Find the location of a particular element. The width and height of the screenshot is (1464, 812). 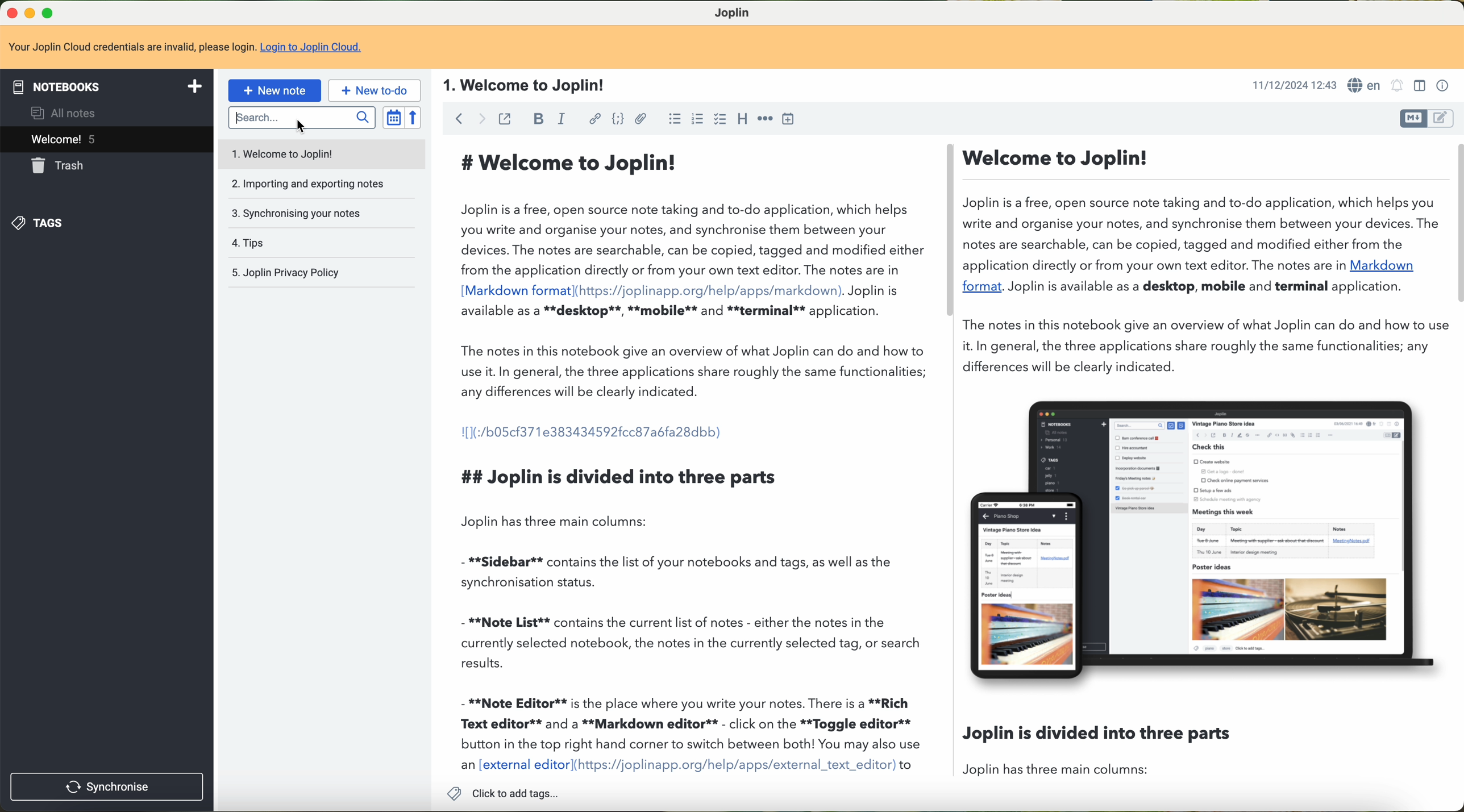

# Welcome to Joplin!

joplin is a free, open source note taking and to-do application, which helps
ou write and organise your notes, and synchronise them between your
Jevices. The notes are searchable, can be copied, tagged and modified either
rom the application directly or from your own text editor. The notes are in

Markdown format](https://joplinapp.org/help/apps/markdown). Joplin is
wailable as a **desktop**, **mobile** and **terminal** application.

"he notes in this notebook give an overview of what Joplin can do and how to
ise it. In general, the three applications share roughly the same functionalities;
iny differences will be clearly indicated.

[1(:/b05cf371e383434592fcc87abfa28dbb)

t# Joplin is divided into three parts
Joplin has three main columns:

**Sidebar** contains the list of your notebooks and tags, as well as the
ynchronisation status.

**Note List** contains the current list of notes - either the notes in the
urrently selected notebook, the notes in the currently selected tag, or search
esults.

**Note Editor** is the place where you write your notes. There is a **Rich
ext editor** and a **Markdown editor** - click on the **Toggle editor**
button in the top right hand corner to switch between both! You may also use
in [external editor](https://joplinapp.org/help/apps/external_text_editor) to is located at coordinates (687, 460).